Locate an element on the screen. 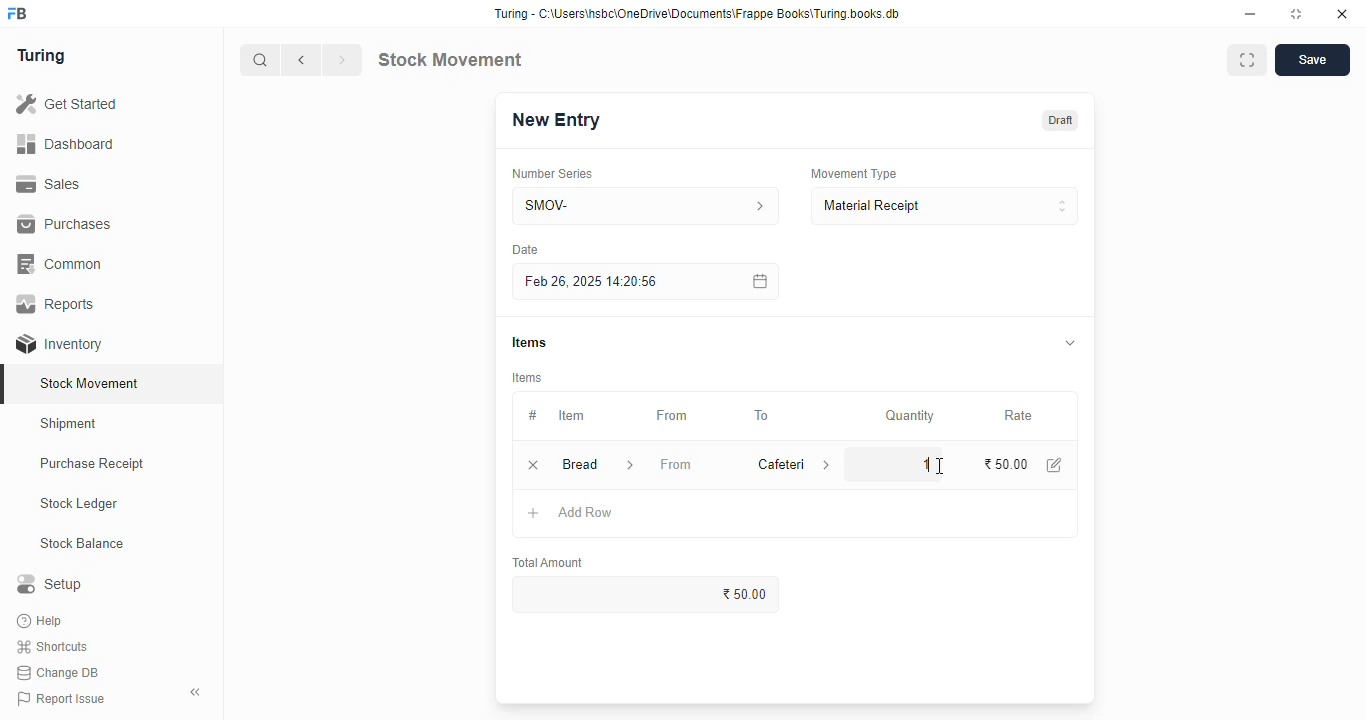  common is located at coordinates (62, 264).